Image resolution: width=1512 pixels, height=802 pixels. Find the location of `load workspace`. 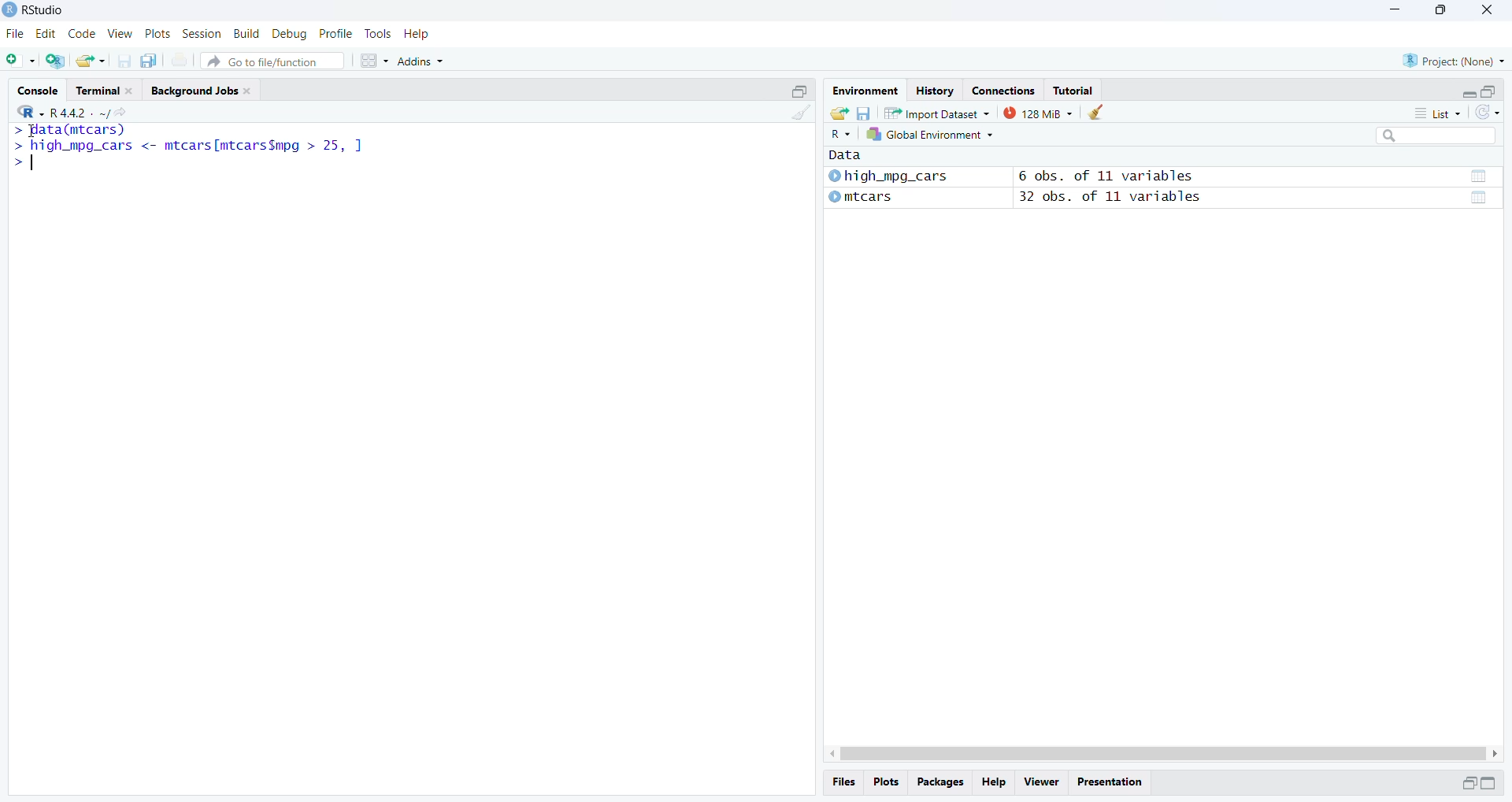

load workspace is located at coordinates (839, 113).